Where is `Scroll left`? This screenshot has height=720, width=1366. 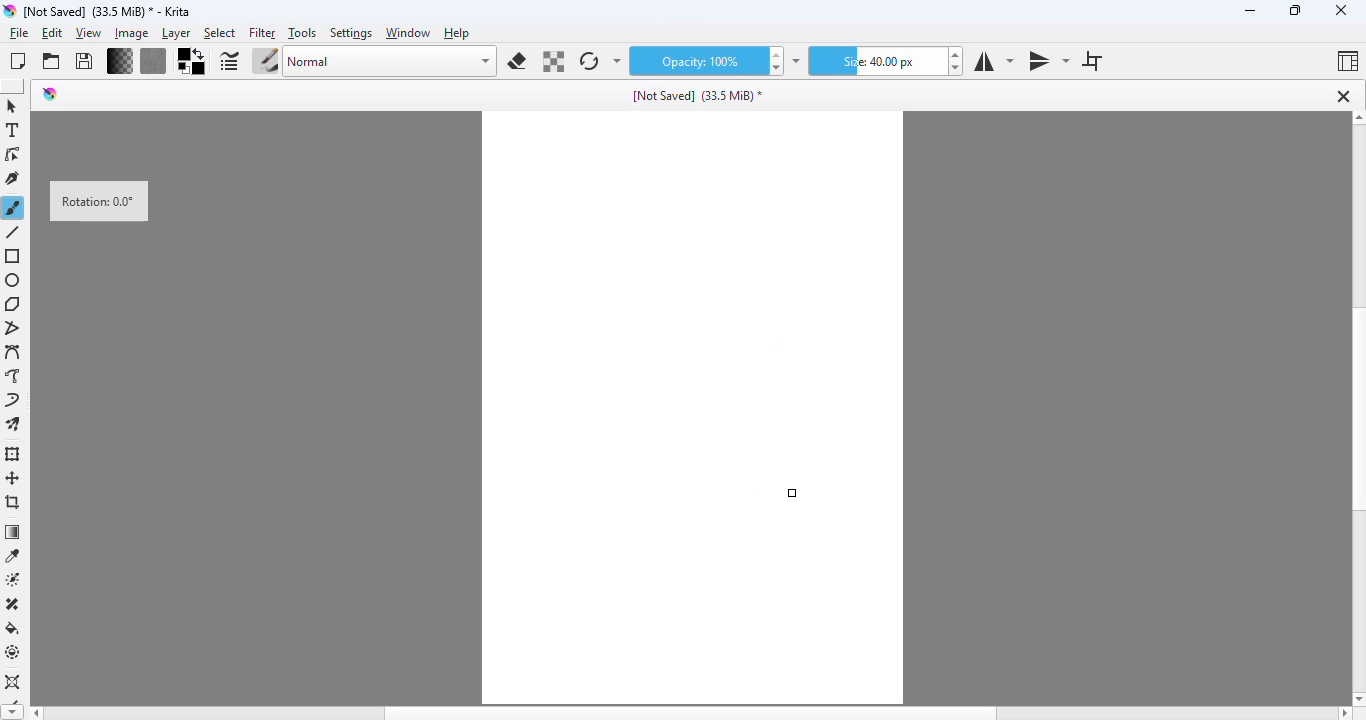
Scroll left is located at coordinates (38, 711).